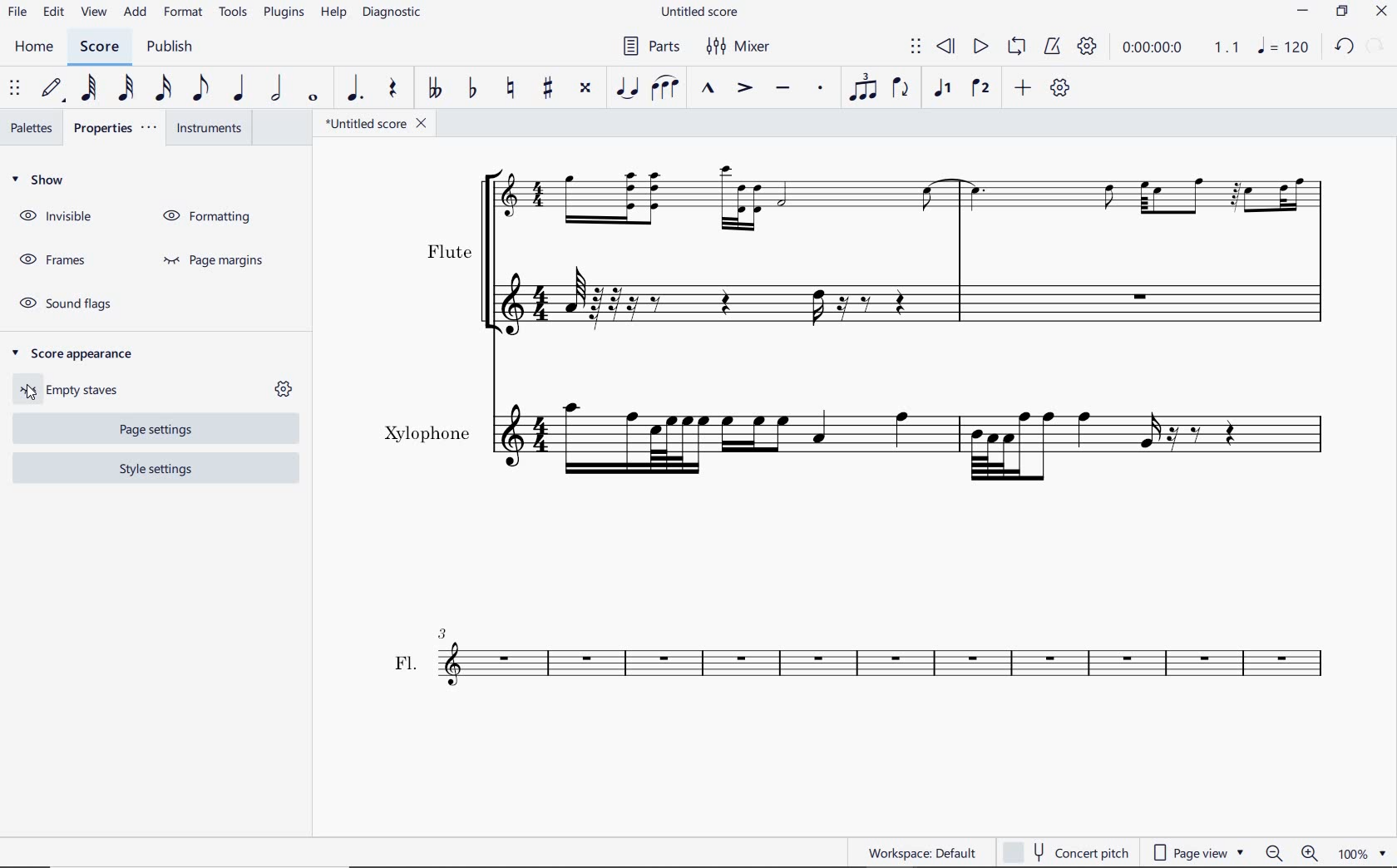  What do you see at coordinates (904, 88) in the screenshot?
I see `FLIP DIRECTION` at bounding box center [904, 88].